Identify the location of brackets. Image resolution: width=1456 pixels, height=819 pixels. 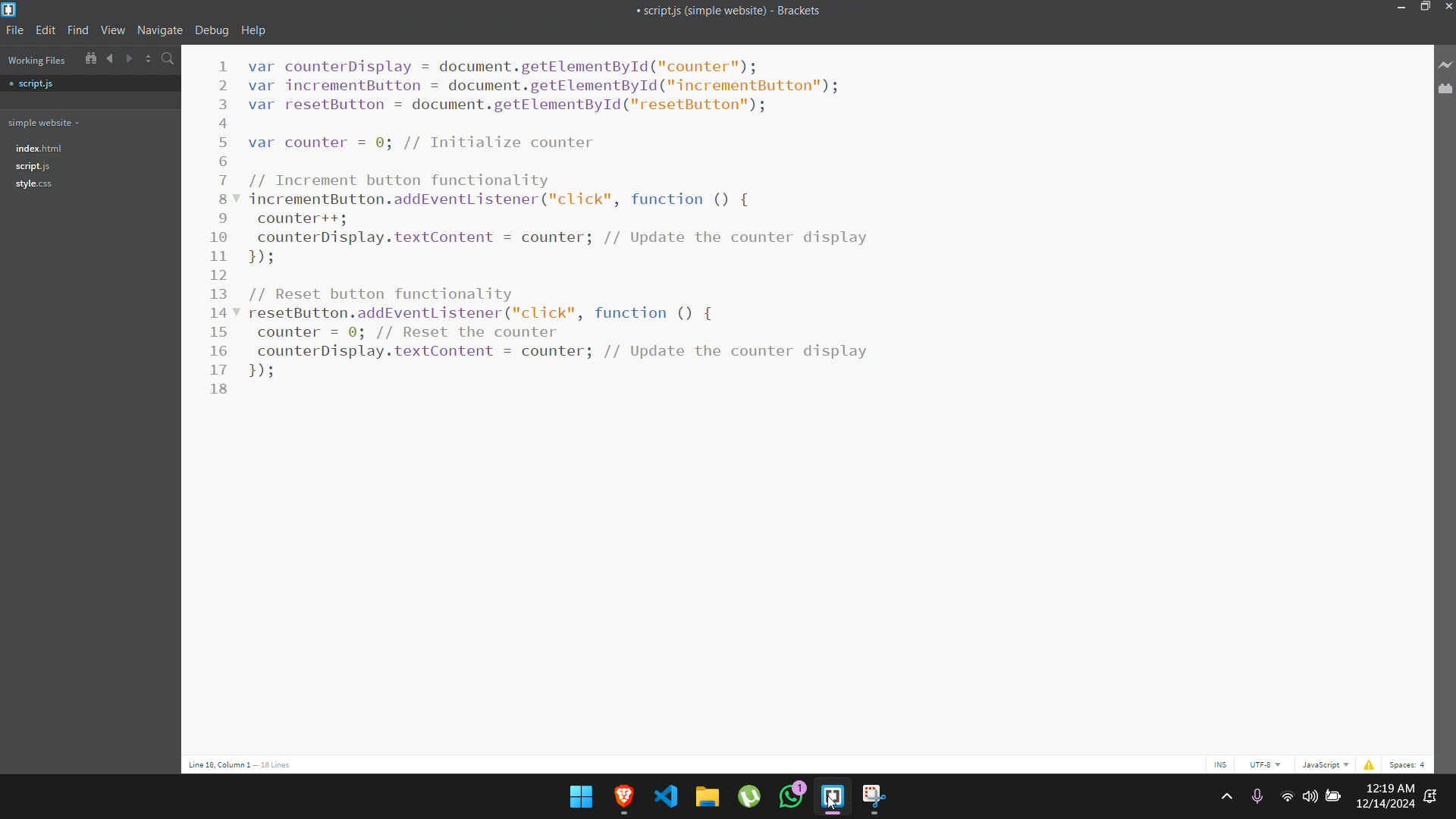
(833, 799).